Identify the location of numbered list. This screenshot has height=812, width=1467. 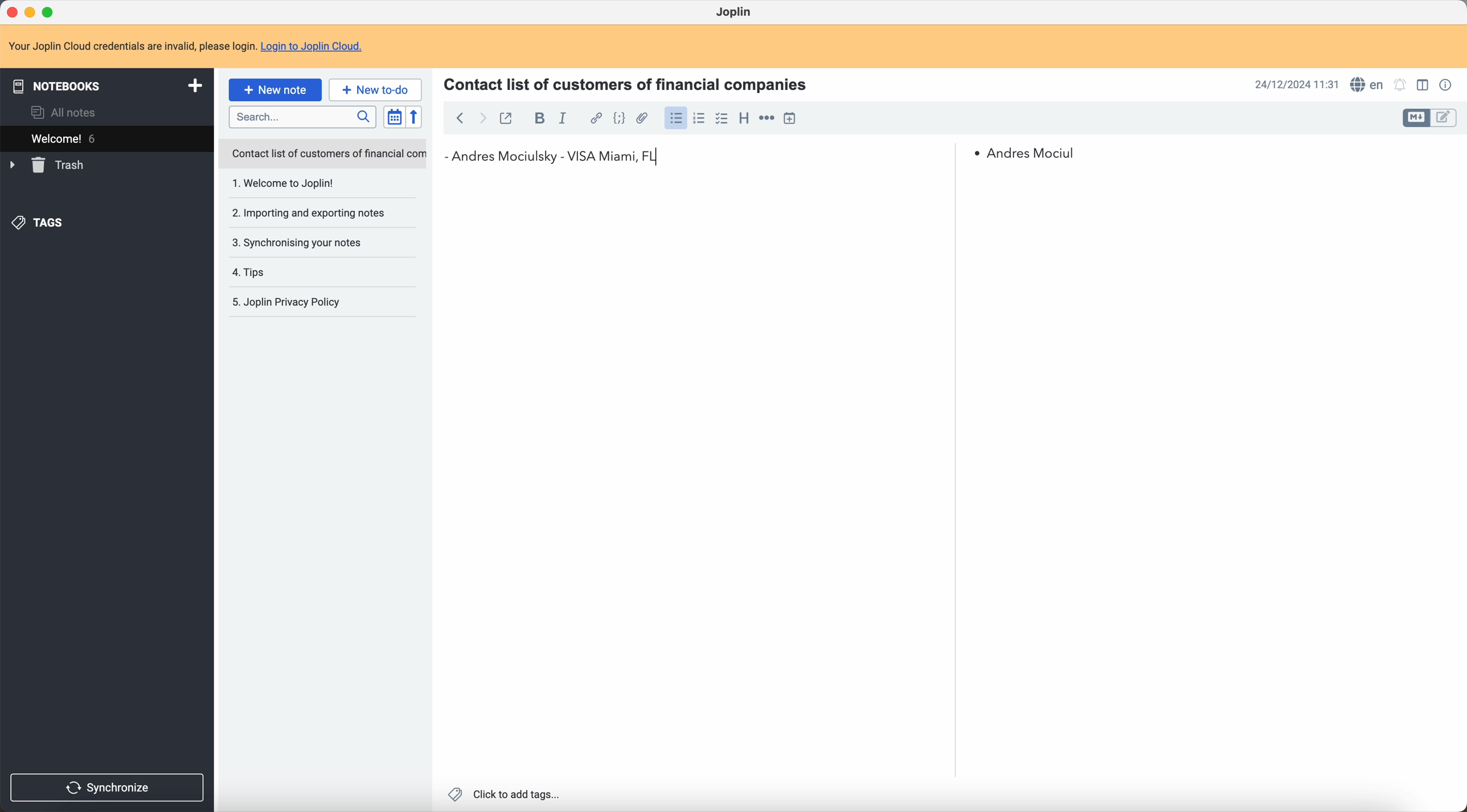
(700, 118).